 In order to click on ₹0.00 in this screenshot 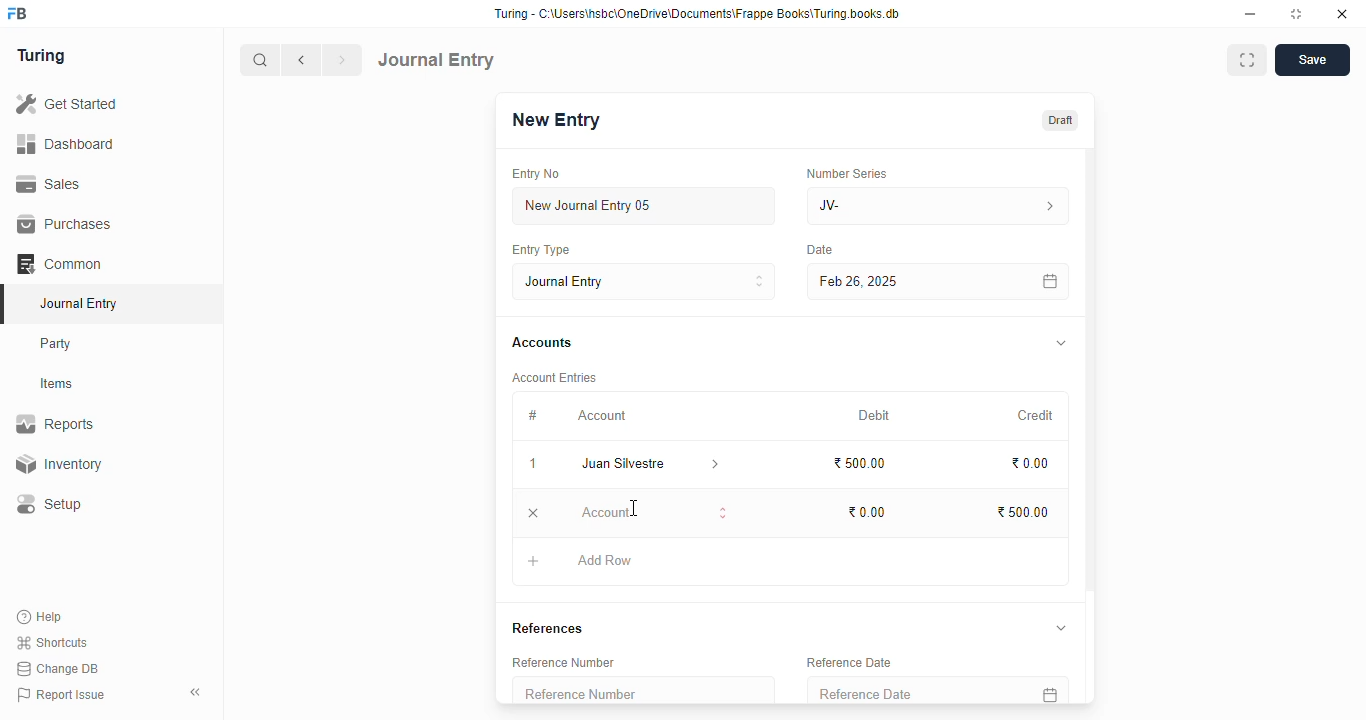, I will do `click(1031, 463)`.